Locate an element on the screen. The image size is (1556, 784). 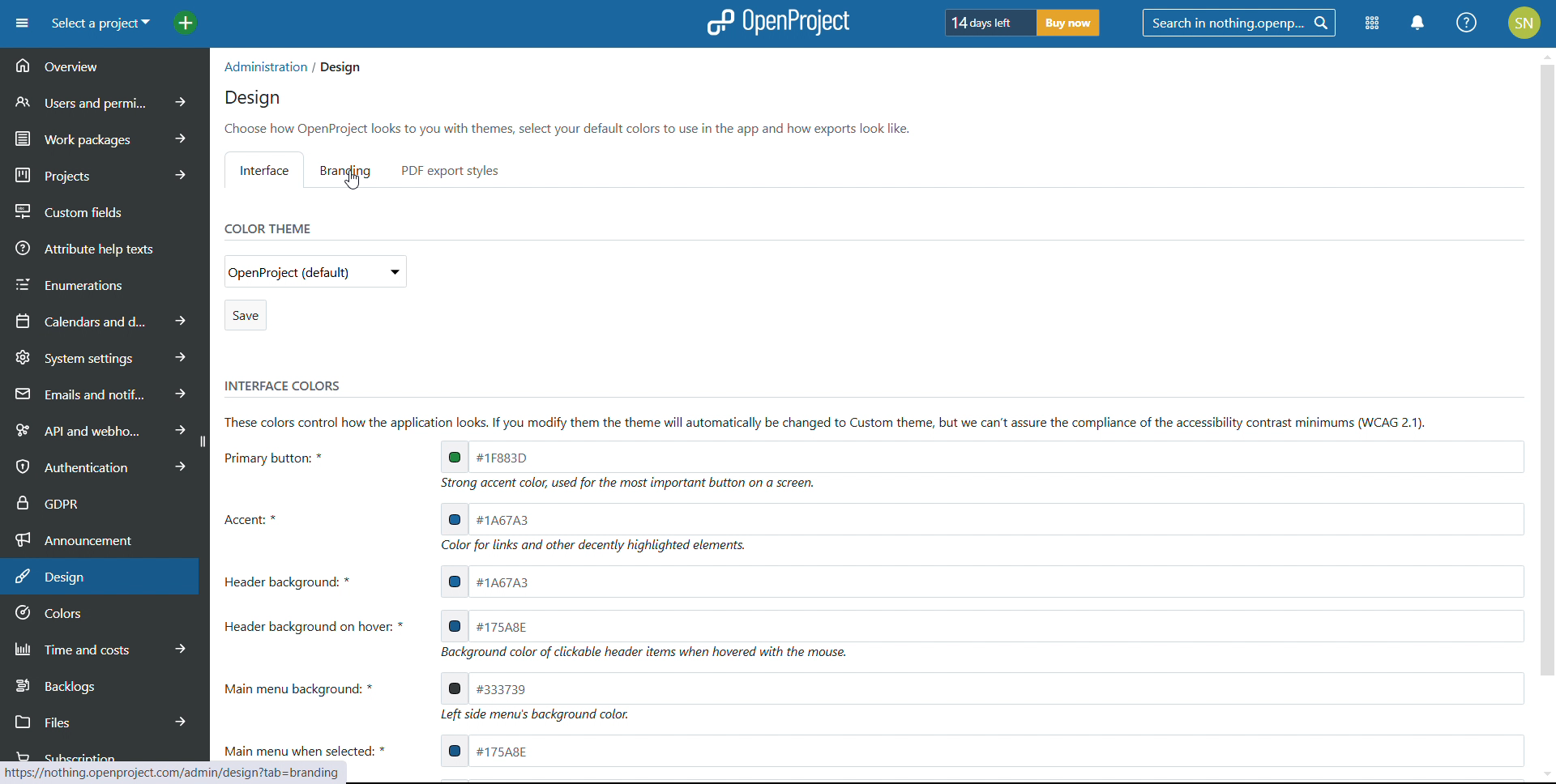
files is located at coordinates (101, 720).